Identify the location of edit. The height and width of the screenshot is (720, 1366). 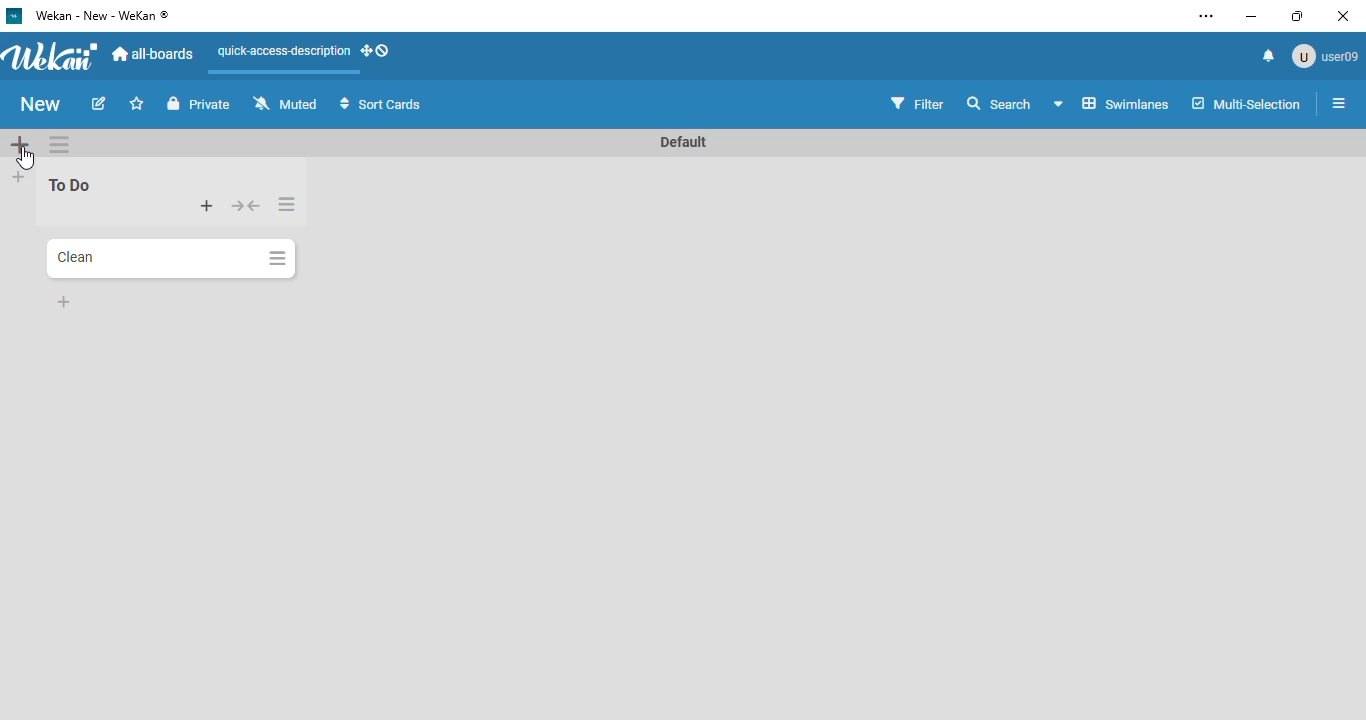
(99, 103).